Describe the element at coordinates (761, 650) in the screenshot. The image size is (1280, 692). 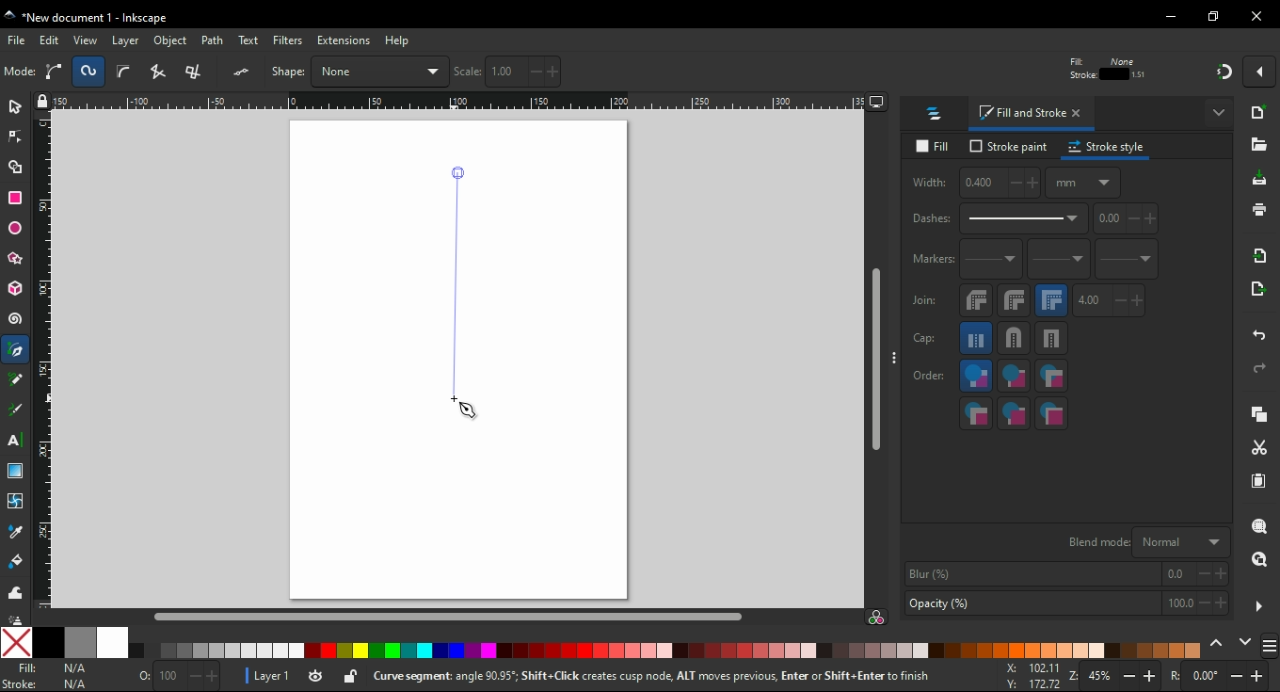
I see `color tone pallete` at that location.